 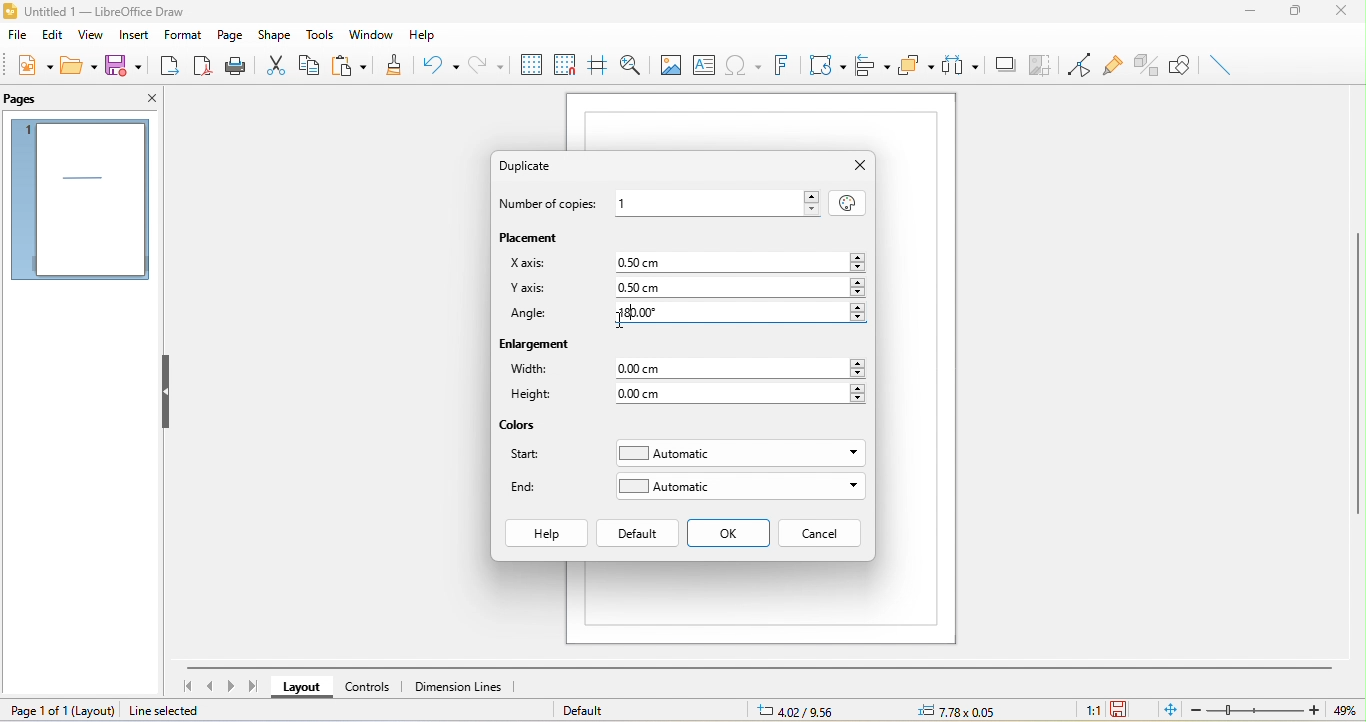 I want to click on next page, so click(x=232, y=685).